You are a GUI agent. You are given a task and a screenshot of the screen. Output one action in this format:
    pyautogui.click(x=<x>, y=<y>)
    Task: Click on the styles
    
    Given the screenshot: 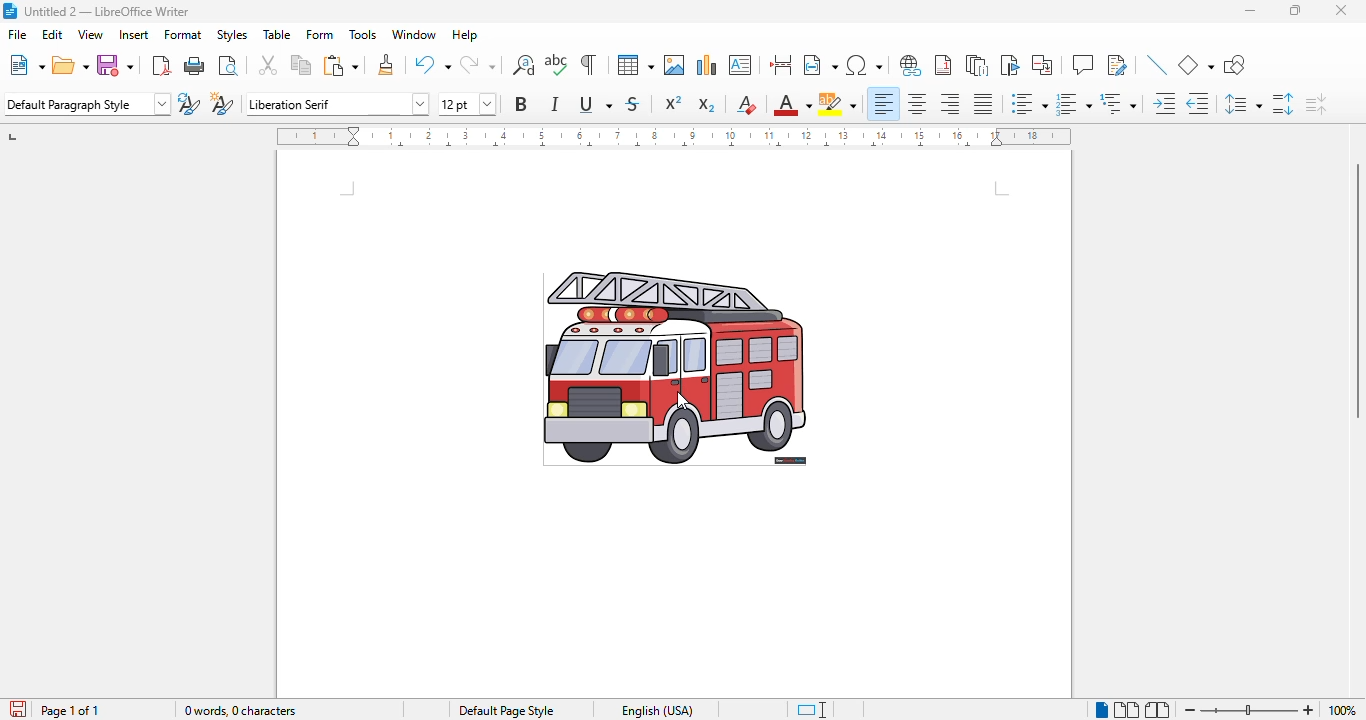 What is the action you would take?
    pyautogui.click(x=232, y=35)
    